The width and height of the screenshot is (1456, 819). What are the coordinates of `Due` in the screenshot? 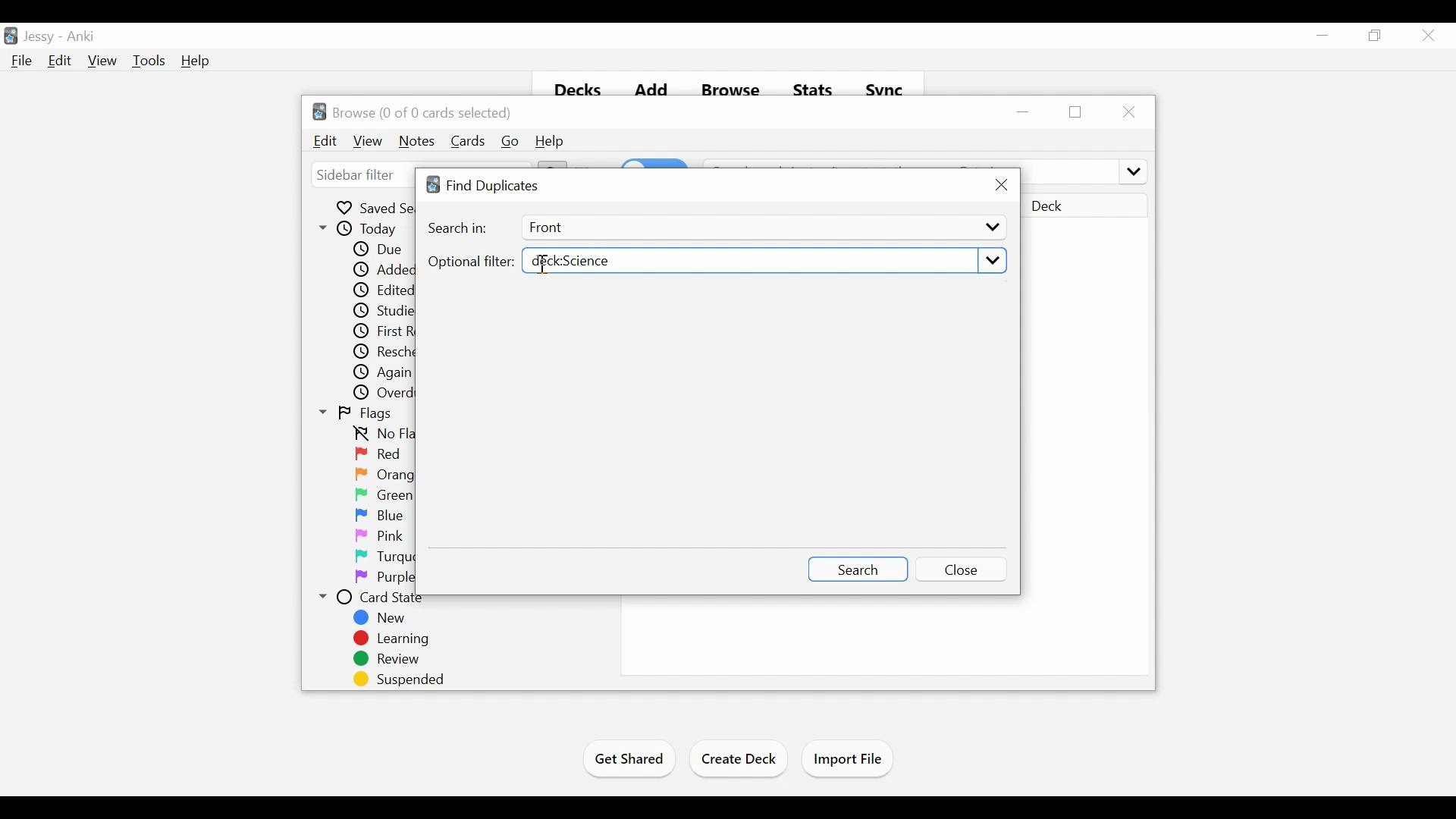 It's located at (376, 249).